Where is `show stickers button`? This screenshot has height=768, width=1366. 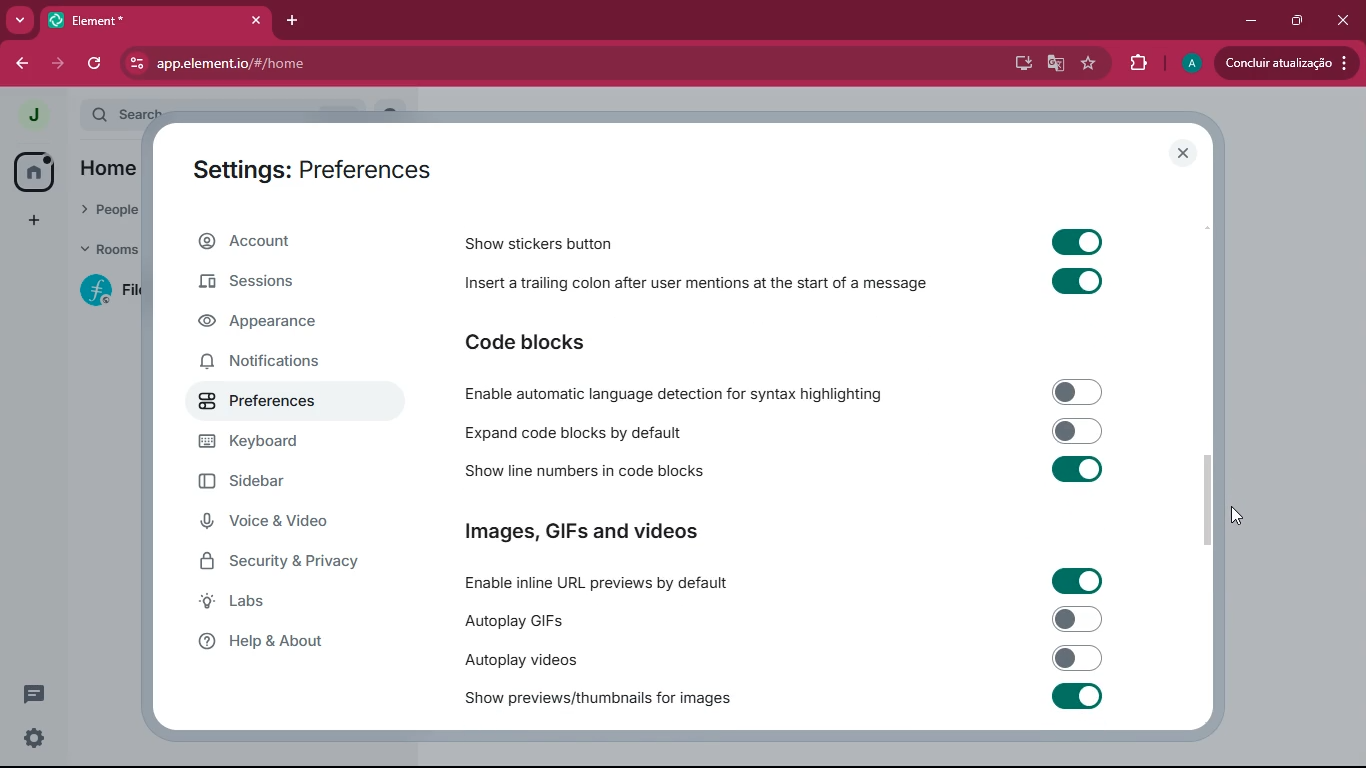 show stickers button is located at coordinates (541, 243).